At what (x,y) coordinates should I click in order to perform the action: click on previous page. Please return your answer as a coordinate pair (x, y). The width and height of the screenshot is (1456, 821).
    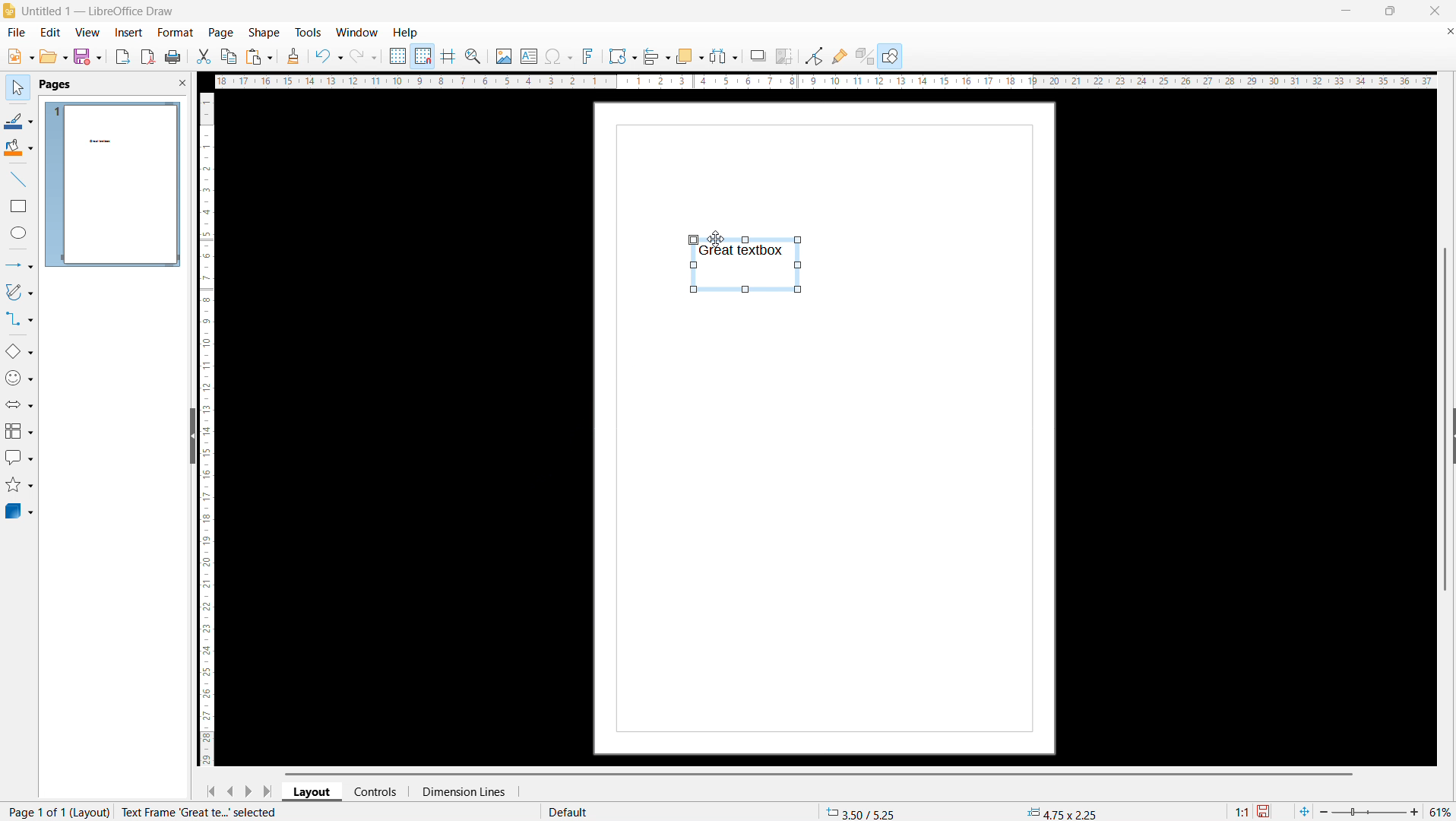
    Looking at the image, I should click on (230, 791).